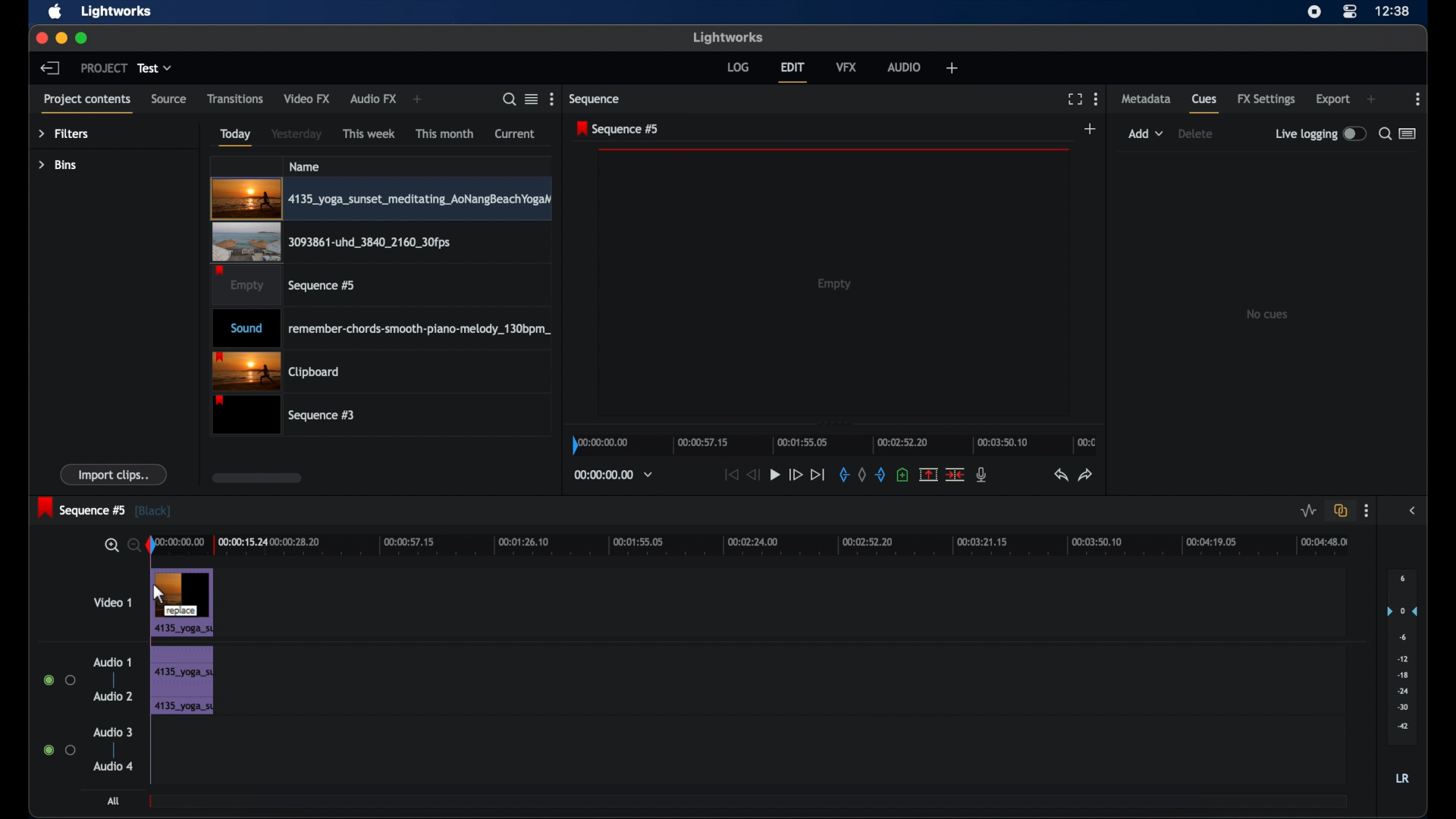 The width and height of the screenshot is (1456, 819). What do you see at coordinates (58, 165) in the screenshot?
I see `bins` at bounding box center [58, 165].